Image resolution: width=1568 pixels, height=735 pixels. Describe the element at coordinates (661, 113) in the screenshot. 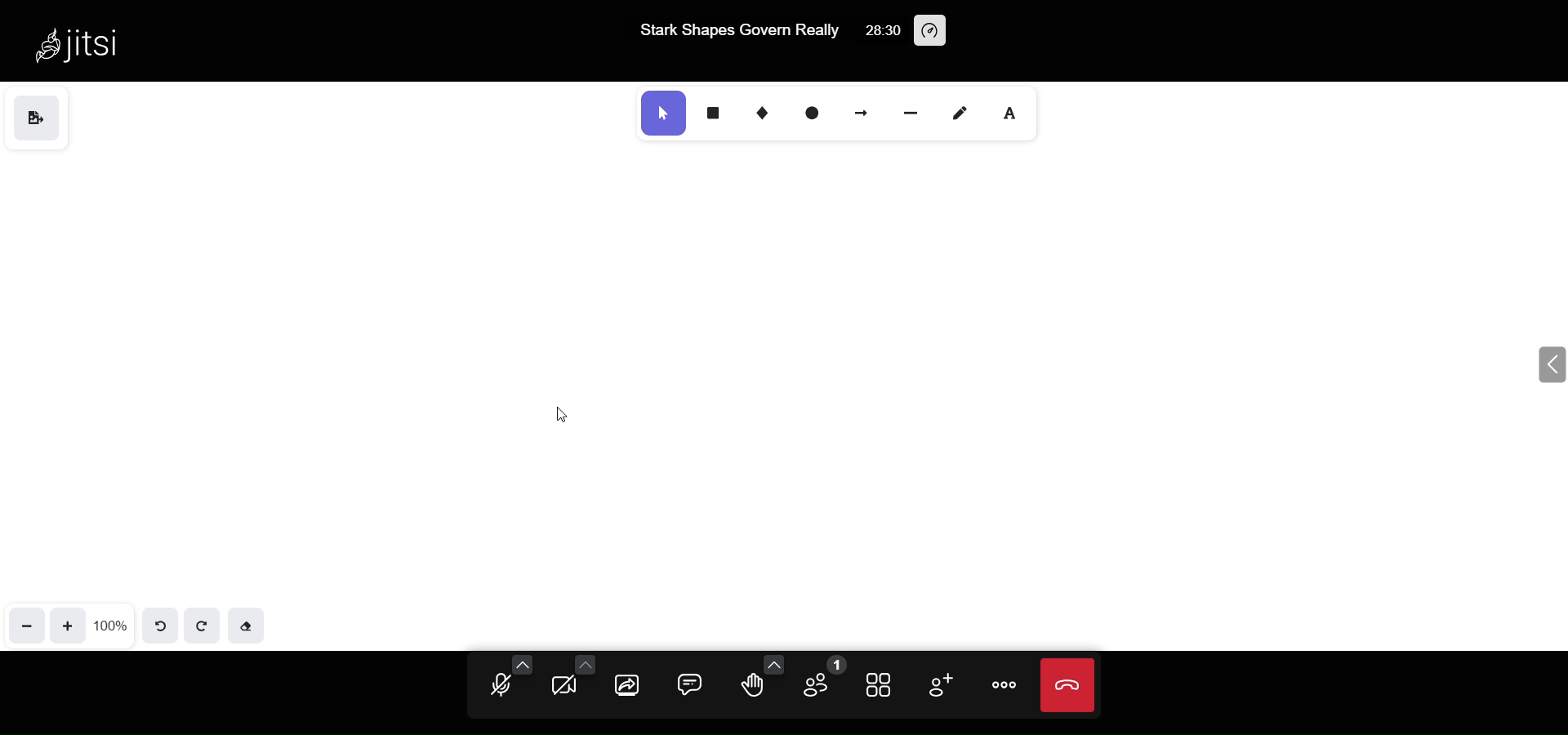

I see `select` at that location.